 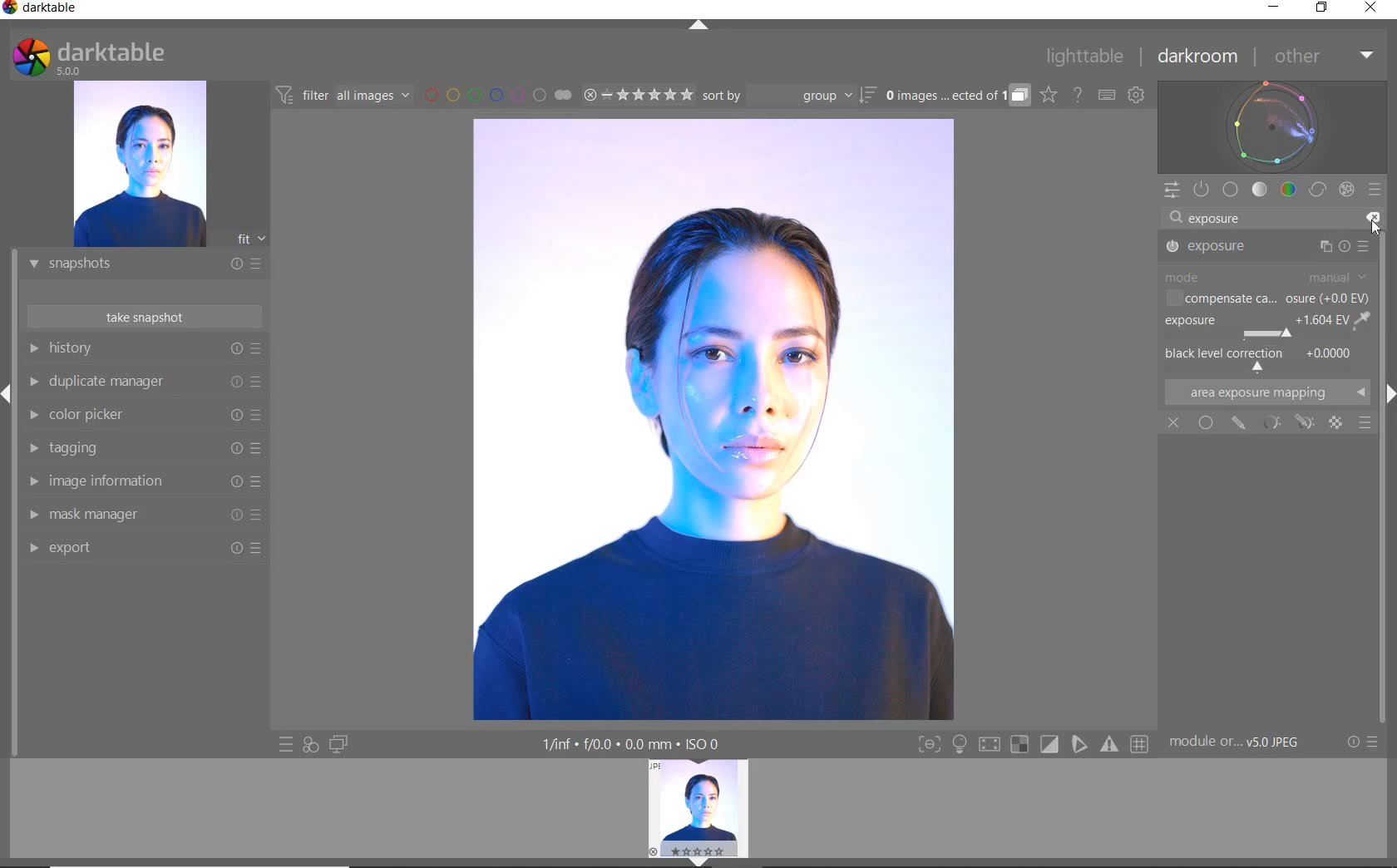 I want to click on COLOR, so click(x=1289, y=189).